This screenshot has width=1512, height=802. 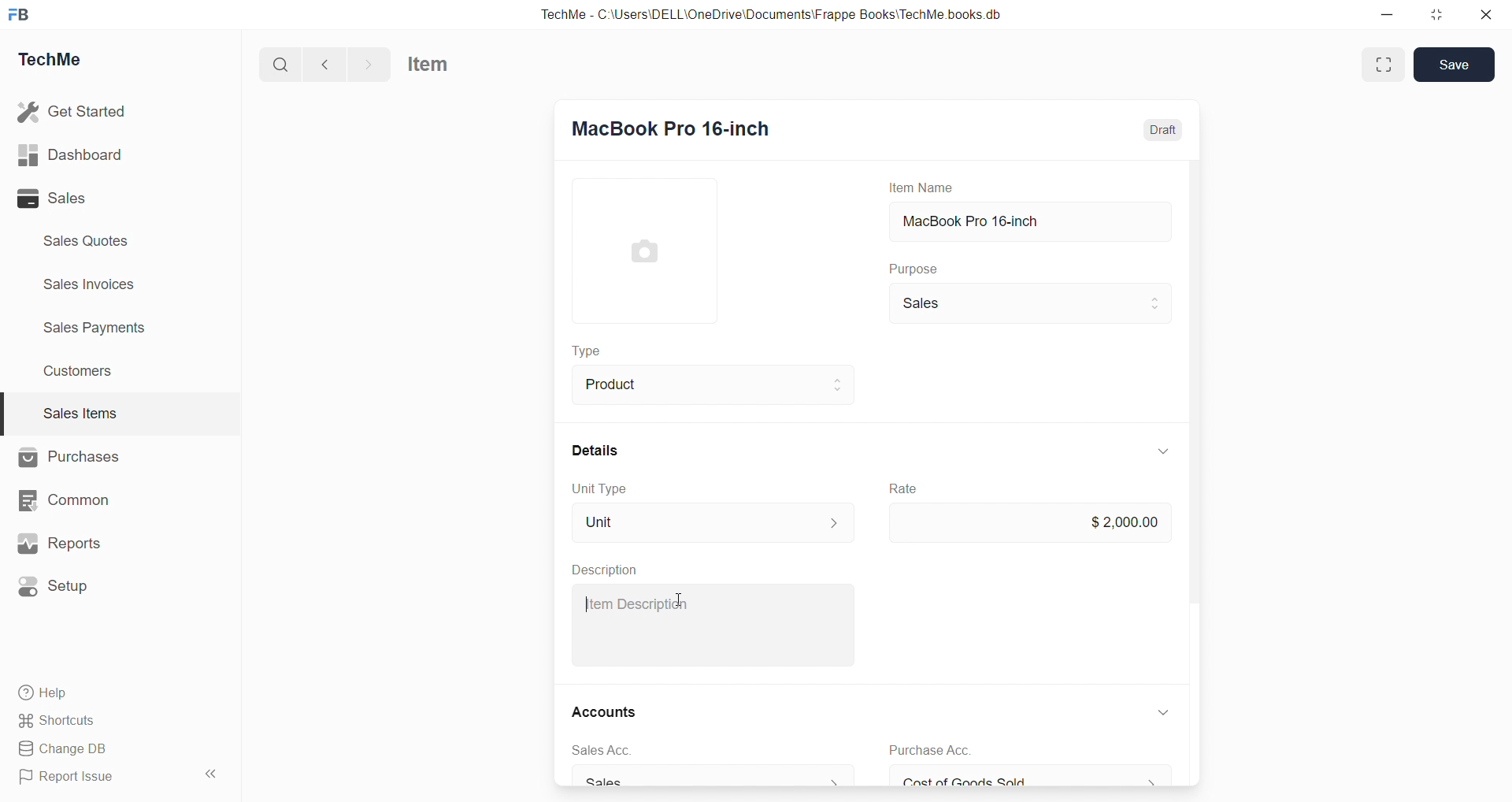 What do you see at coordinates (80, 373) in the screenshot?
I see `Customers` at bounding box center [80, 373].